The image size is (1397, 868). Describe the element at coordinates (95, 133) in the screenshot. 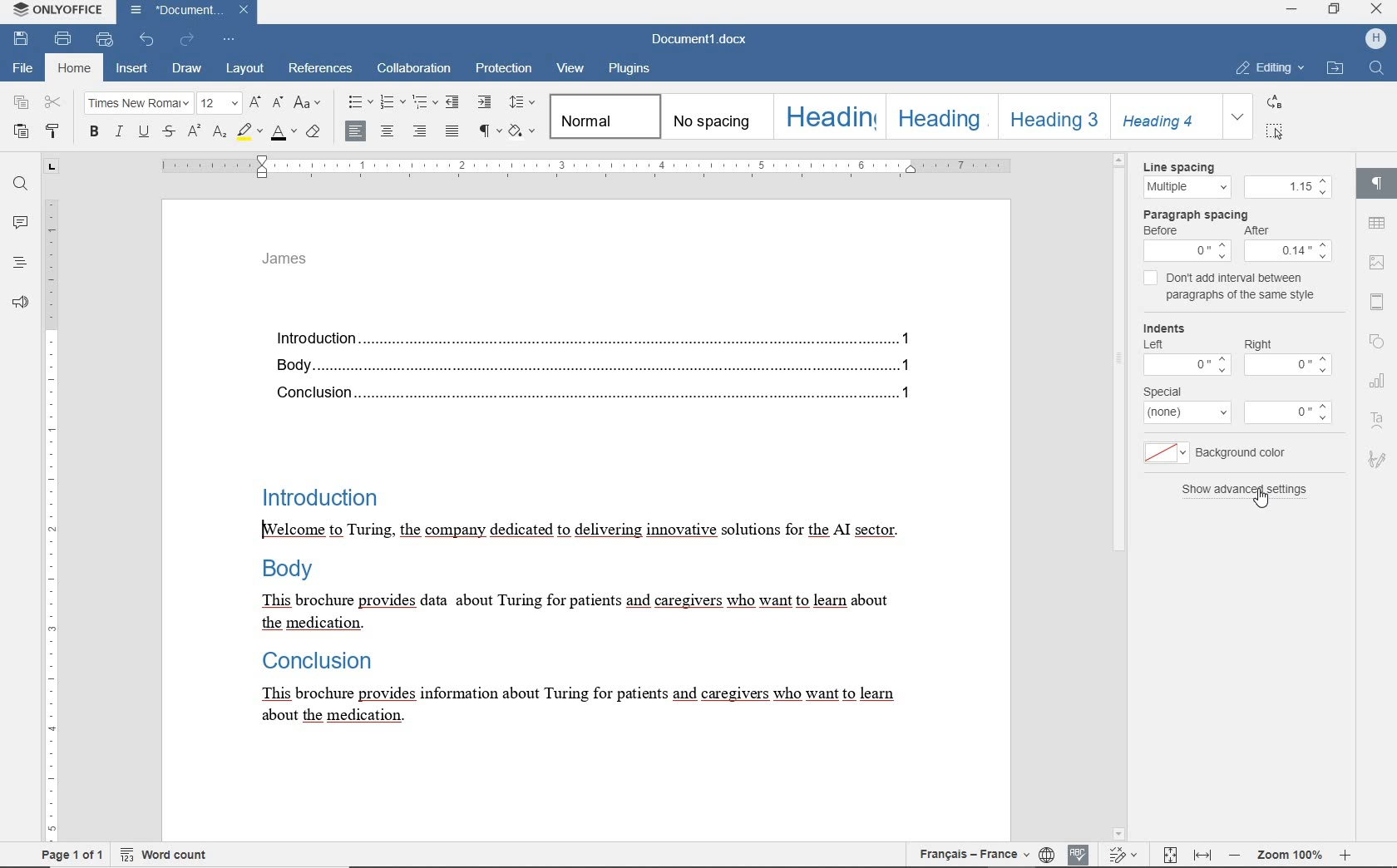

I see `bold` at that location.